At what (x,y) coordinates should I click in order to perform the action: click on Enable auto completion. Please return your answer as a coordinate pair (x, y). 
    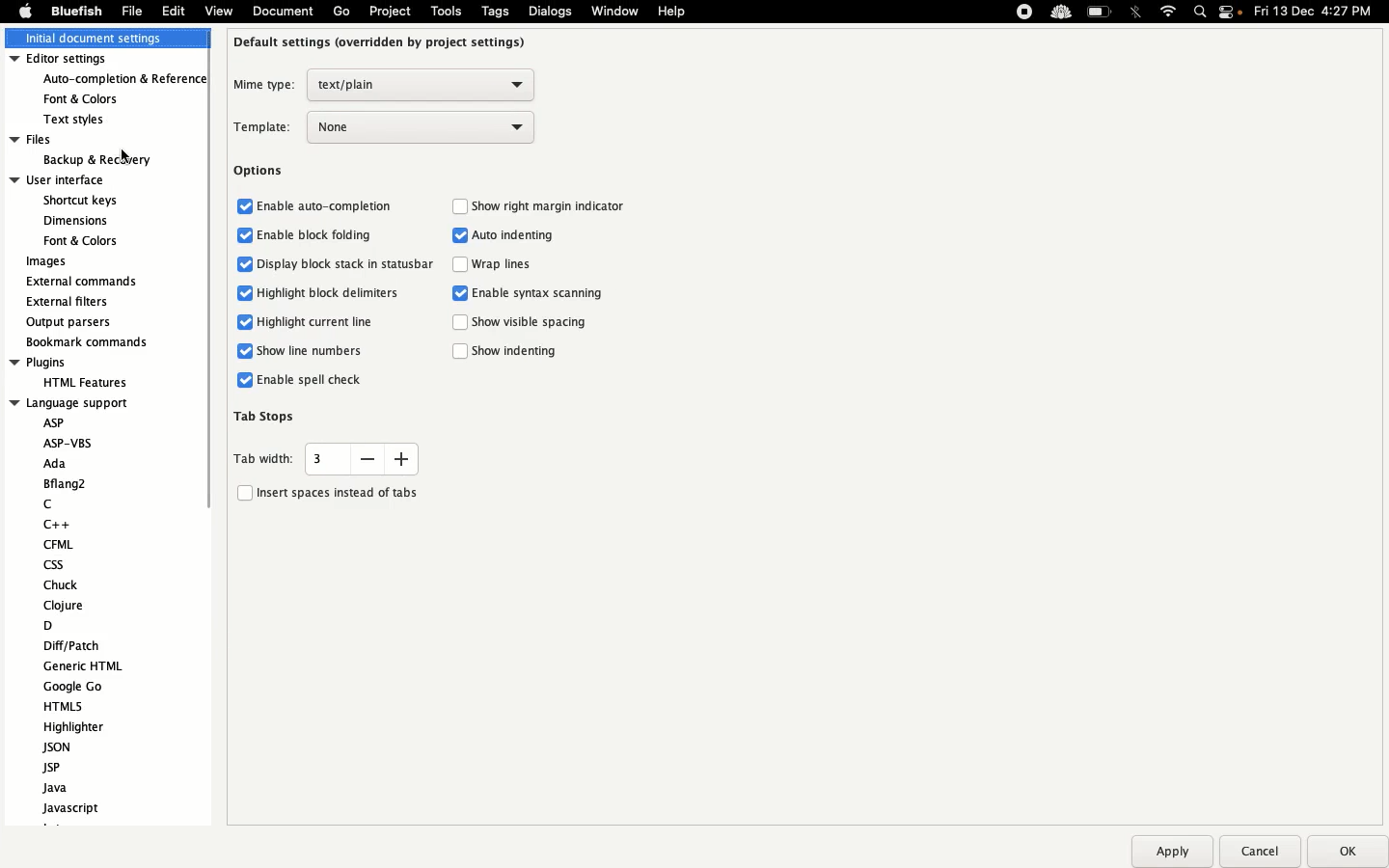
    Looking at the image, I should click on (315, 205).